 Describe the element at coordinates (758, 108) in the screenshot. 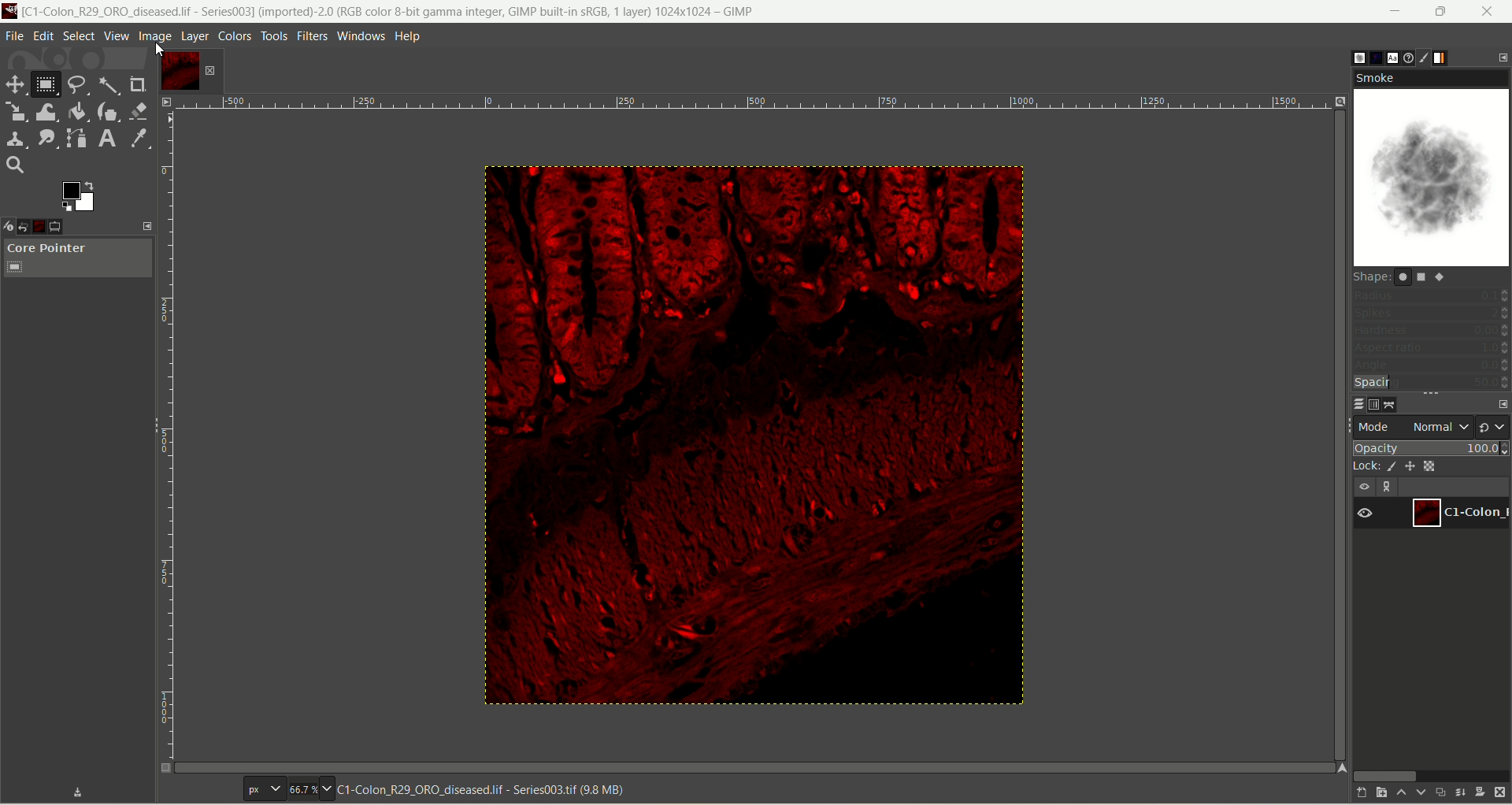

I see `scale bar` at that location.